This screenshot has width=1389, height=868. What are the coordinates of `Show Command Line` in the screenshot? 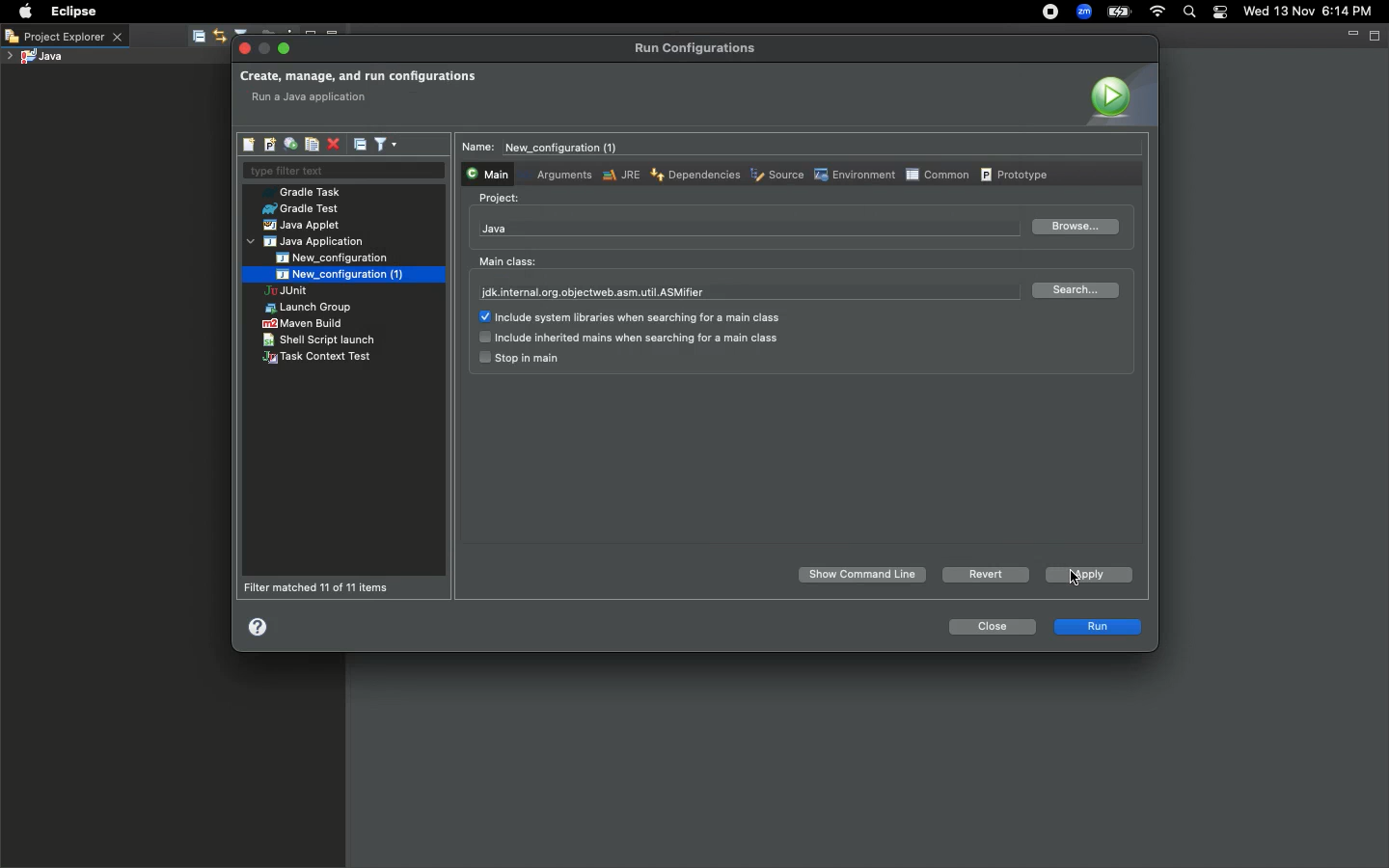 It's located at (864, 575).